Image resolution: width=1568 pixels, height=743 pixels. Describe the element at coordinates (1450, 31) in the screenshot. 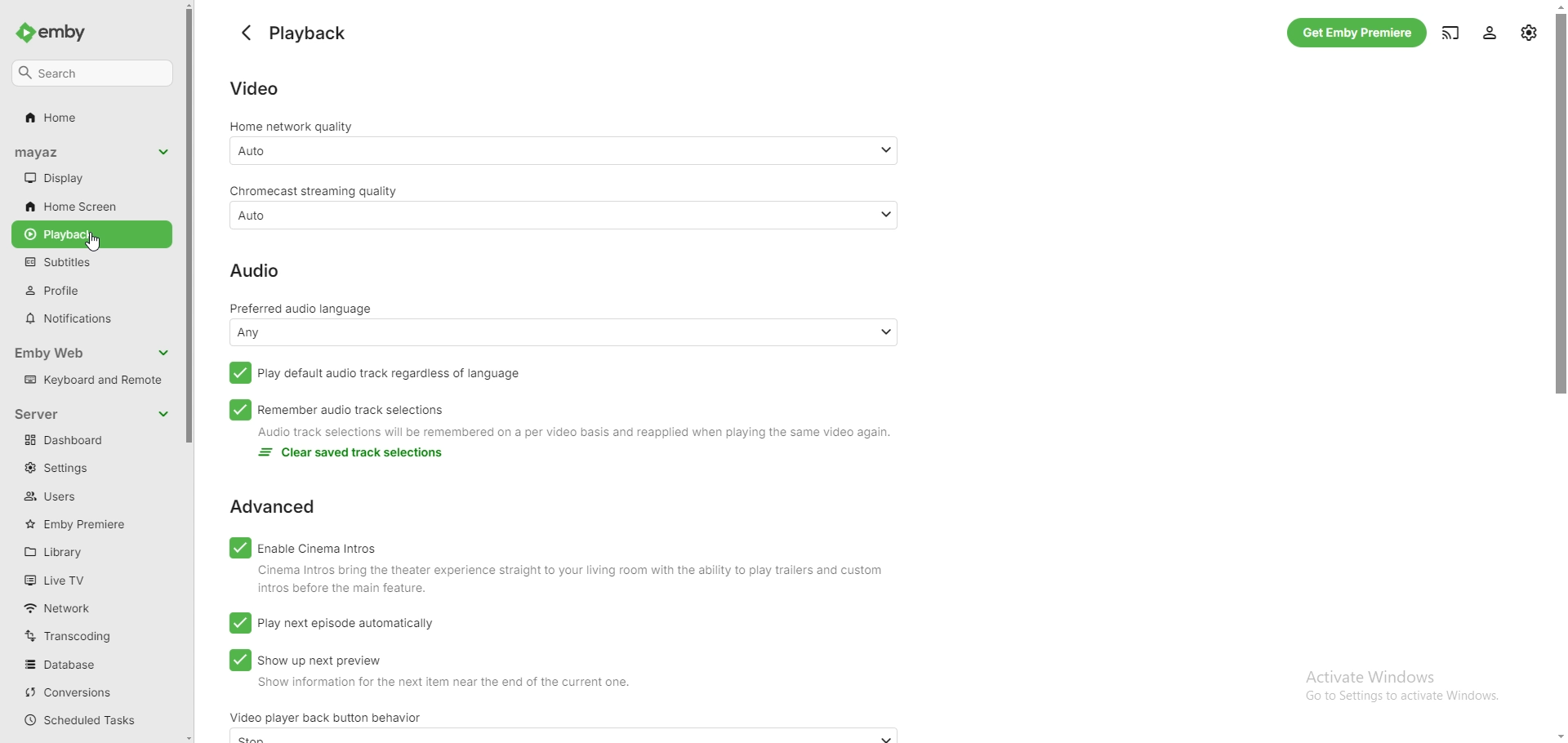

I see `cast` at that location.